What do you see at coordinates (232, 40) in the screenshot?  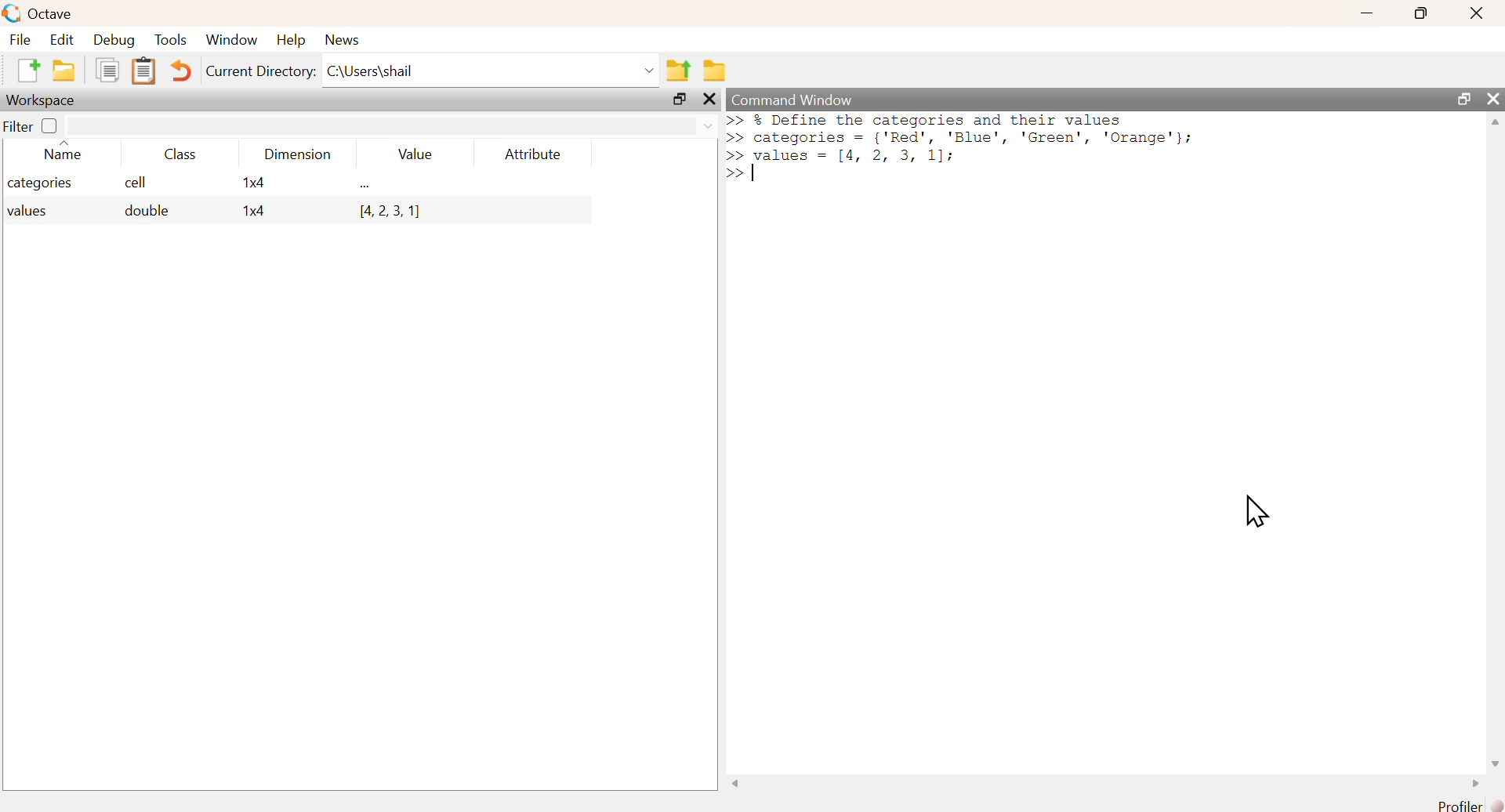 I see `Window` at bounding box center [232, 40].